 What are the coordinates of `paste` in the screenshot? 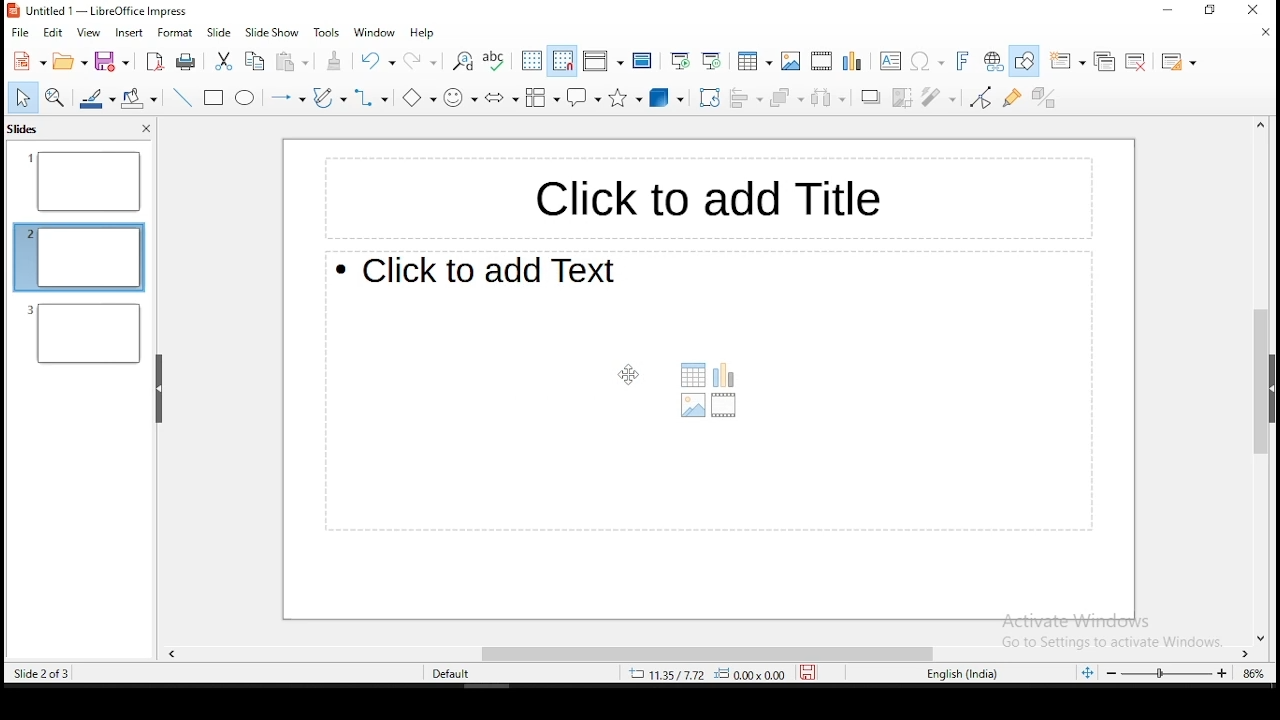 It's located at (292, 63).